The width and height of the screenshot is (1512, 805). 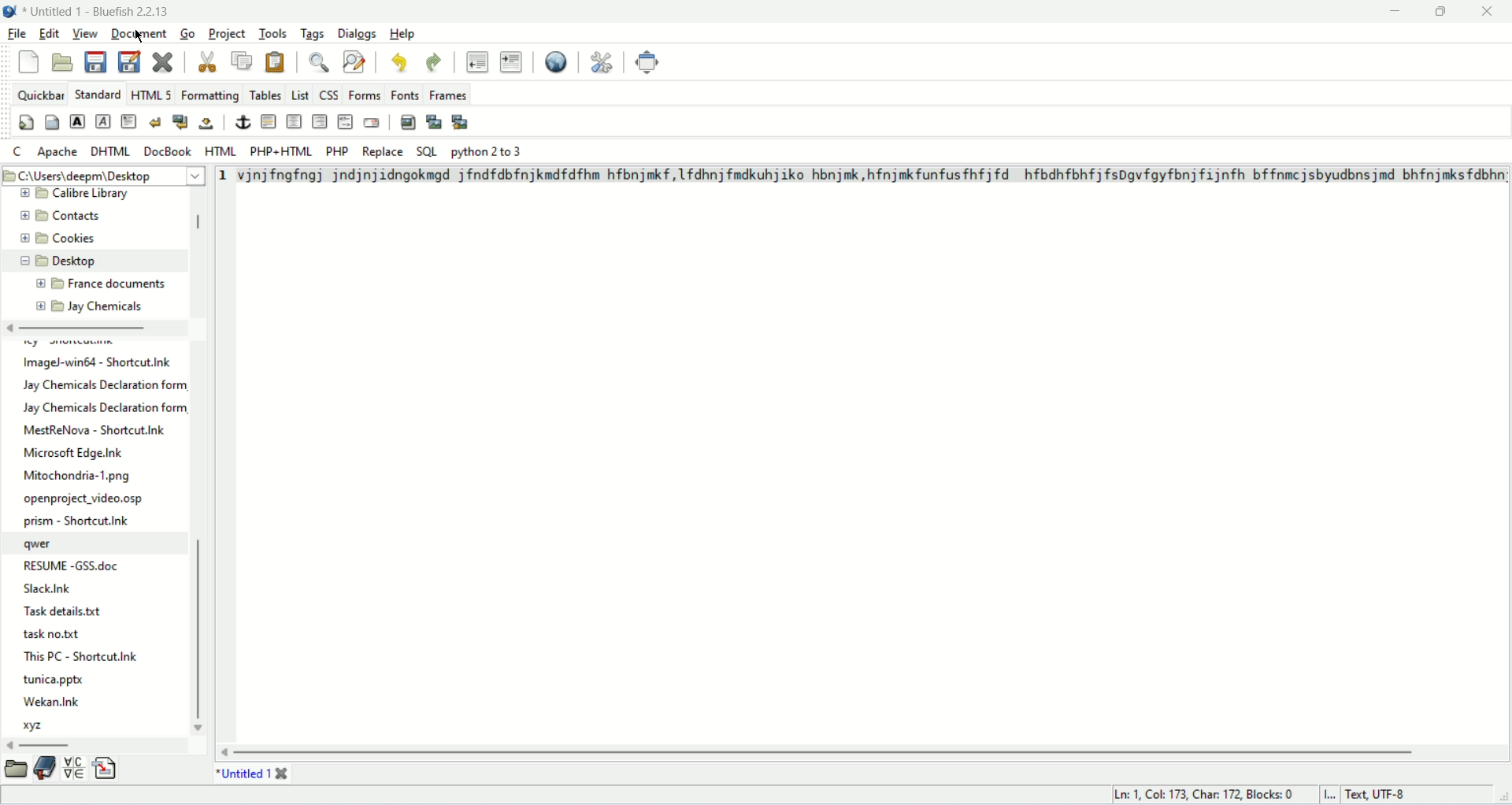 I want to click on Apache, so click(x=58, y=153).